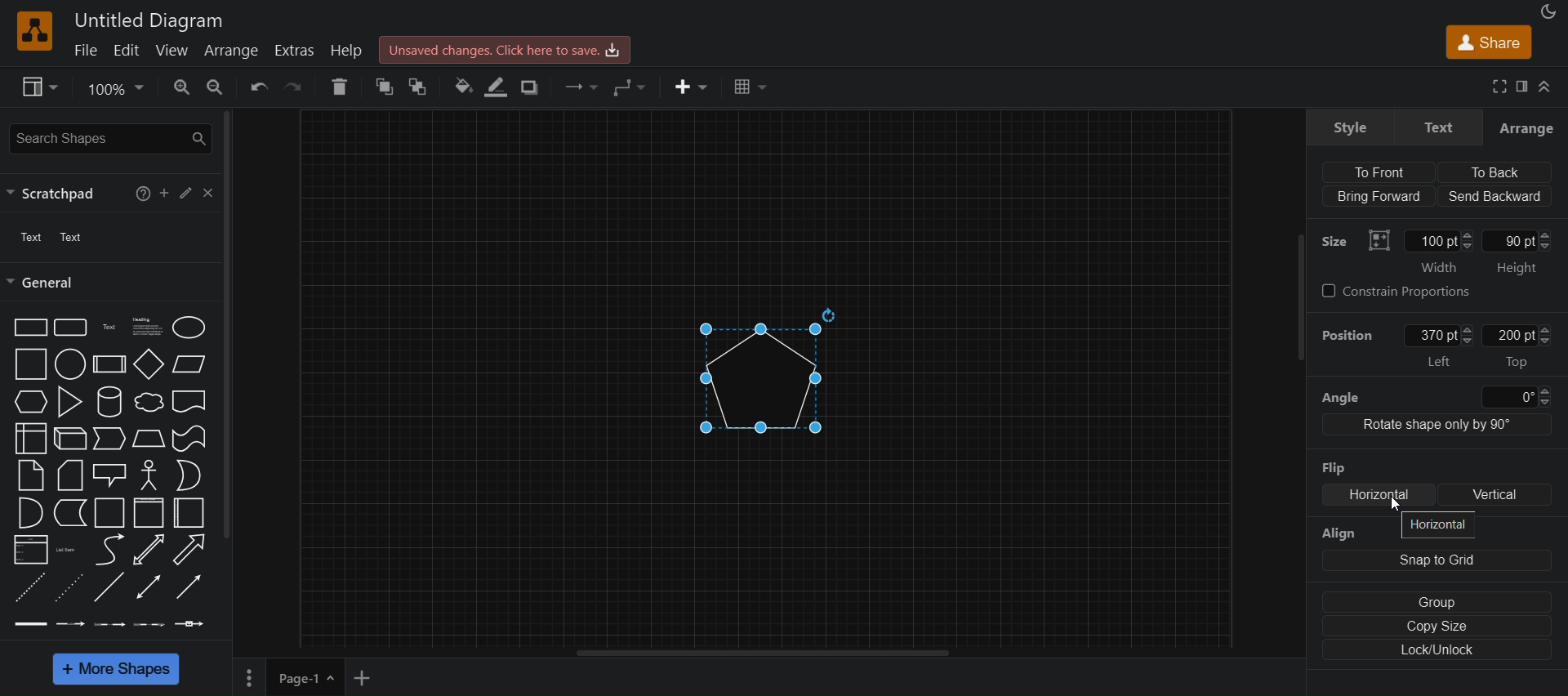  I want to click on search shapes, so click(111, 139).